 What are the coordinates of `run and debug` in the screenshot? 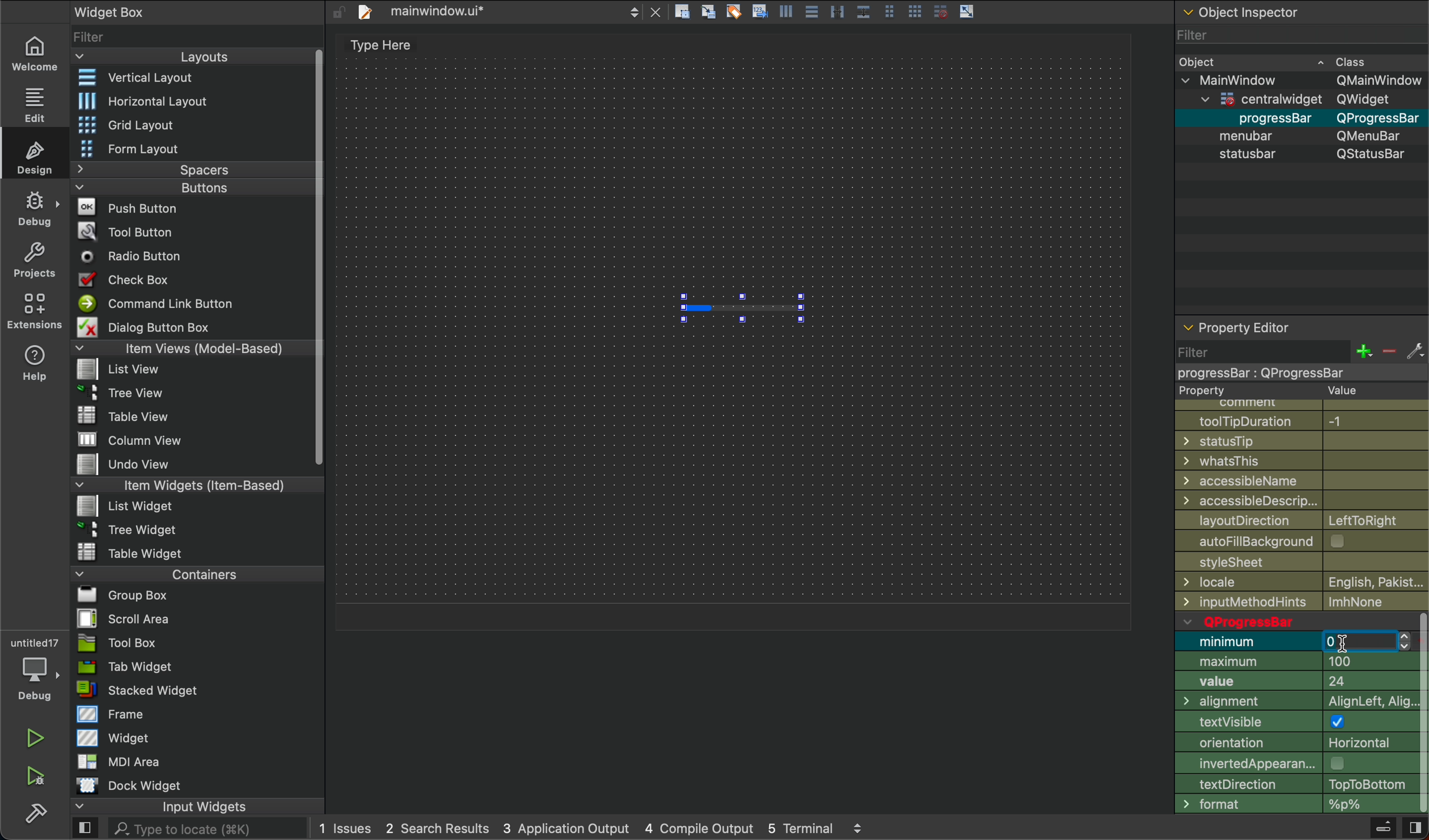 It's located at (37, 776).